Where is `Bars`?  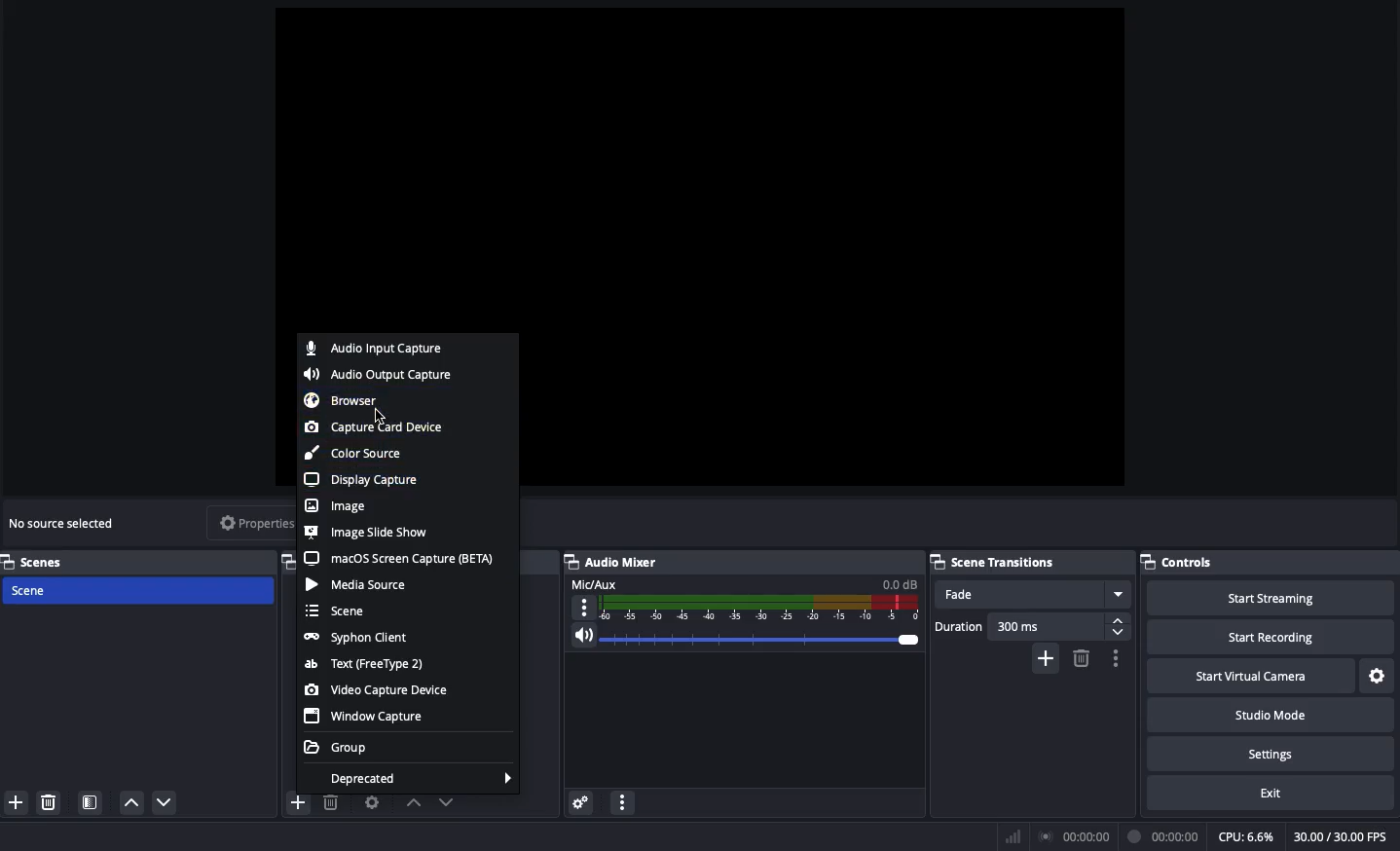 Bars is located at coordinates (1010, 837).